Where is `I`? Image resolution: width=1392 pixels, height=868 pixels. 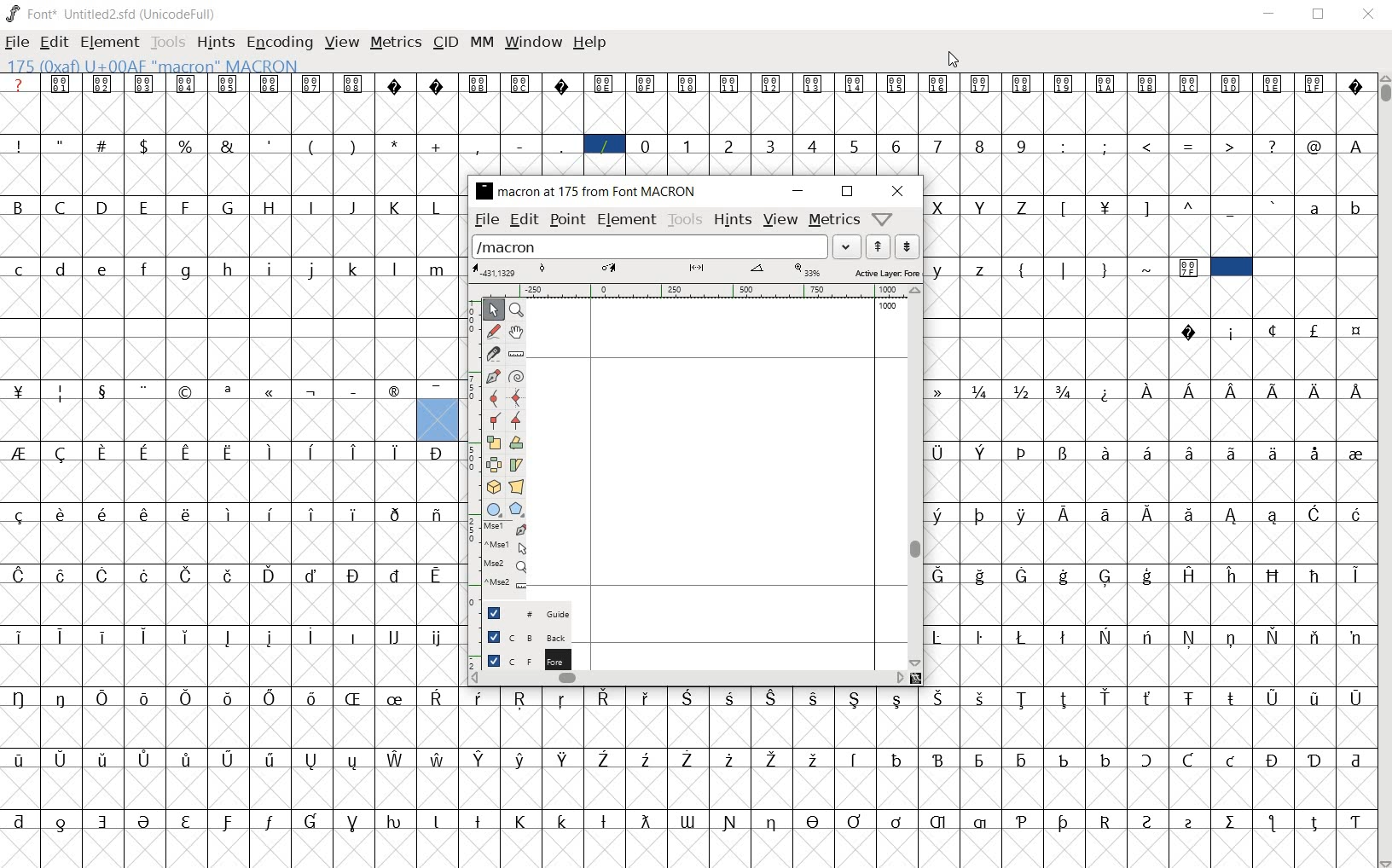
I is located at coordinates (313, 206).